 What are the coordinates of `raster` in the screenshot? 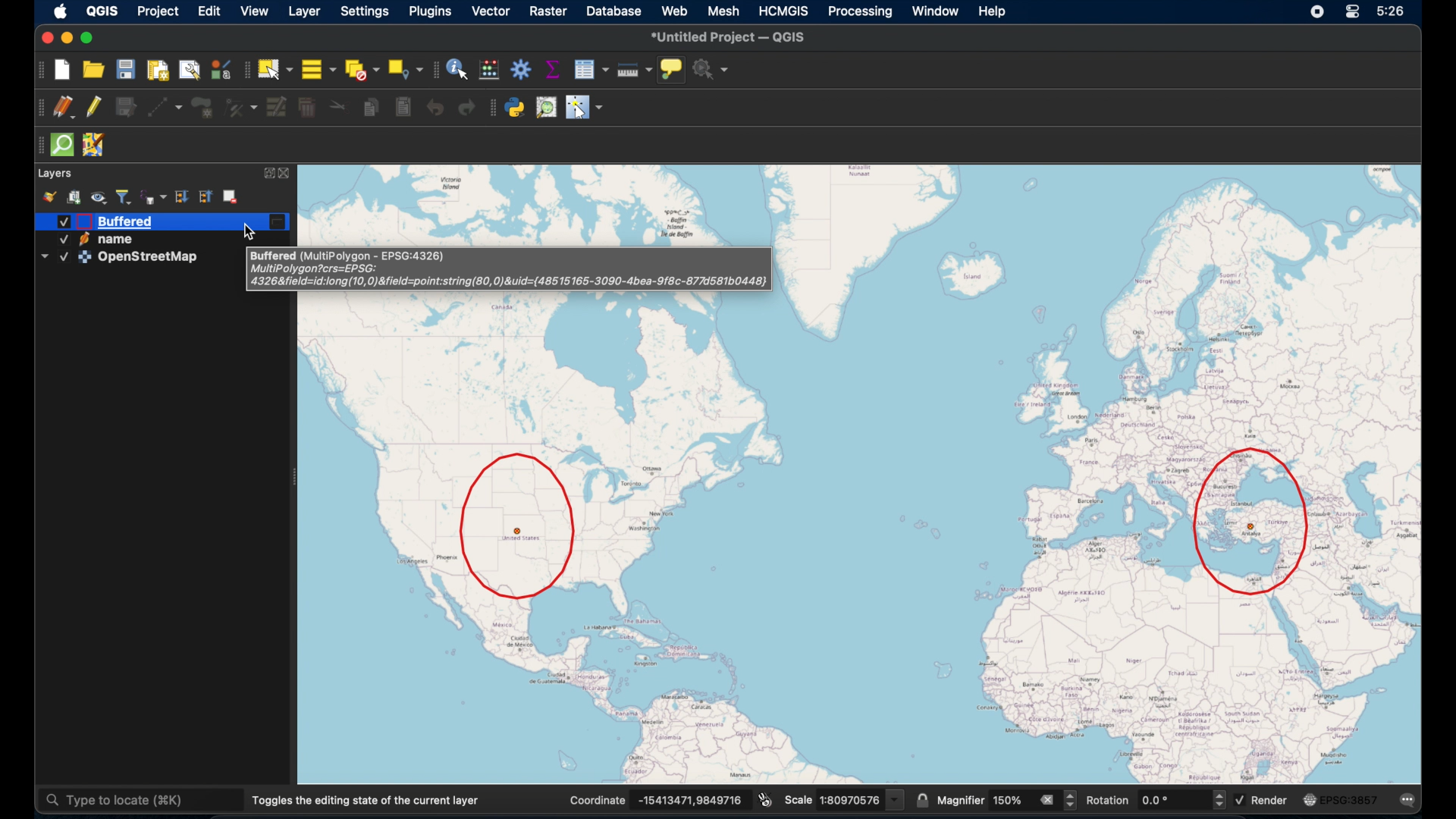 It's located at (545, 11).